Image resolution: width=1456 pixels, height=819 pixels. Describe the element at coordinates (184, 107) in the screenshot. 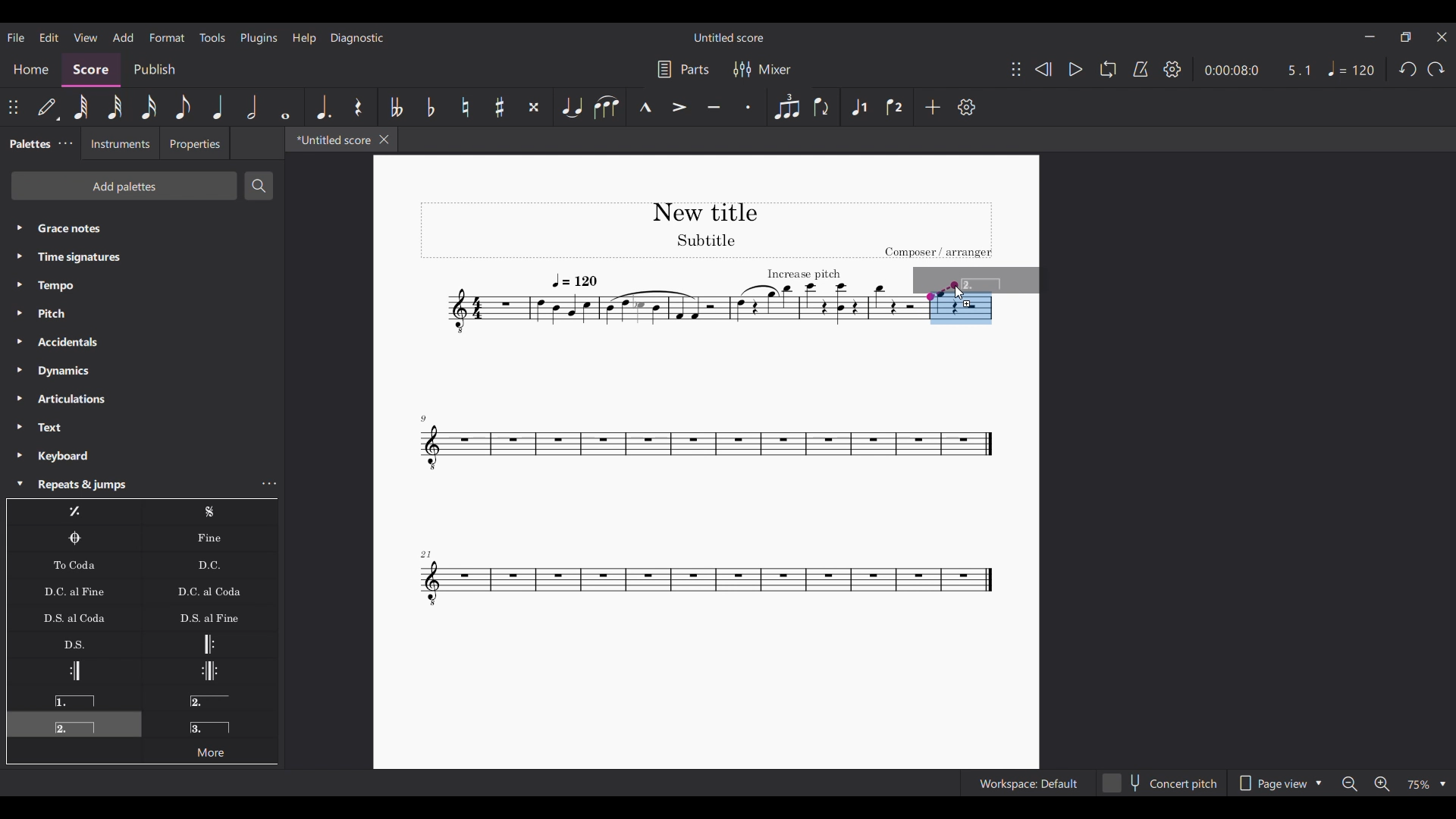

I see `8th note` at that location.